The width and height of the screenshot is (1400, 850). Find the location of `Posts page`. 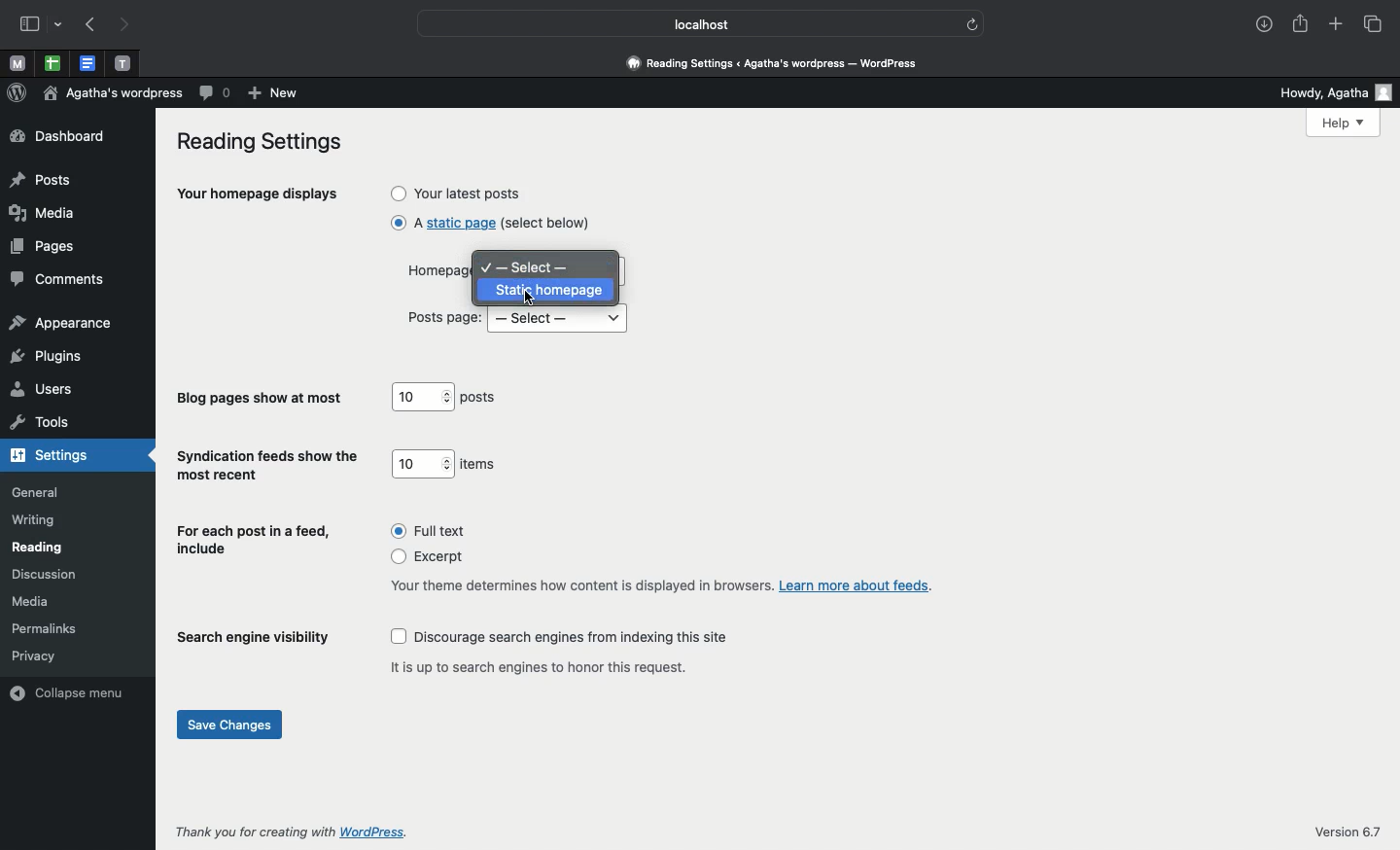

Posts page is located at coordinates (445, 318).